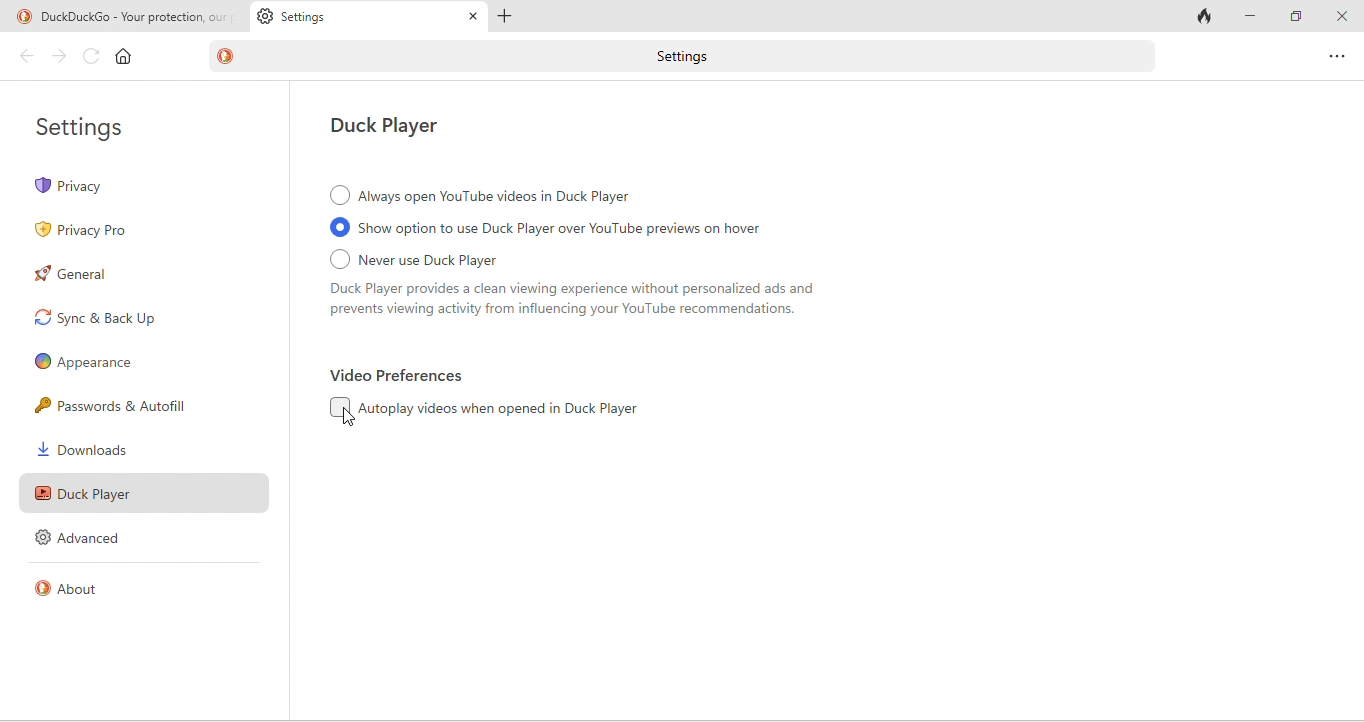  I want to click on show option to use duck player, so click(579, 229).